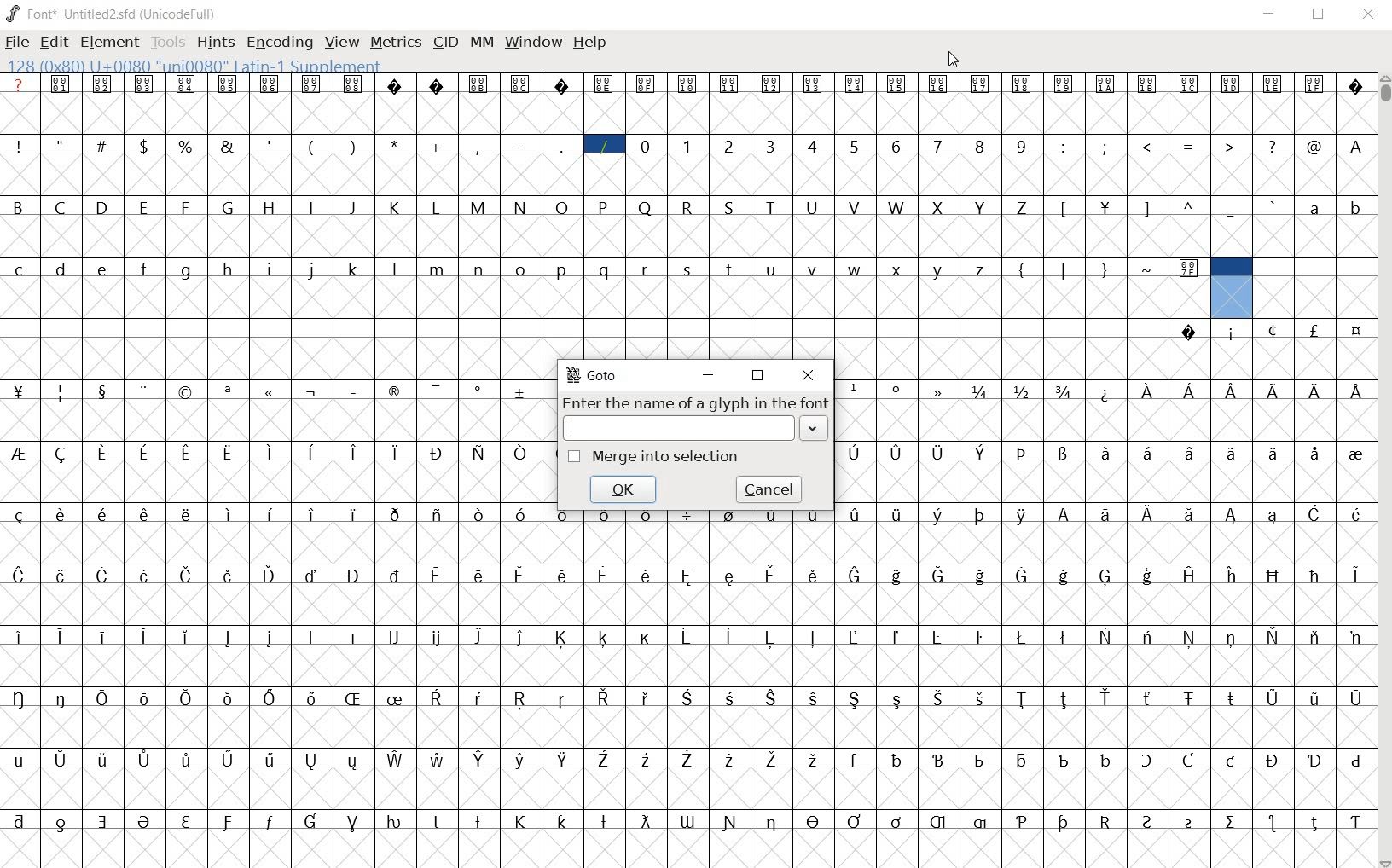  I want to click on Symbol, so click(1106, 758).